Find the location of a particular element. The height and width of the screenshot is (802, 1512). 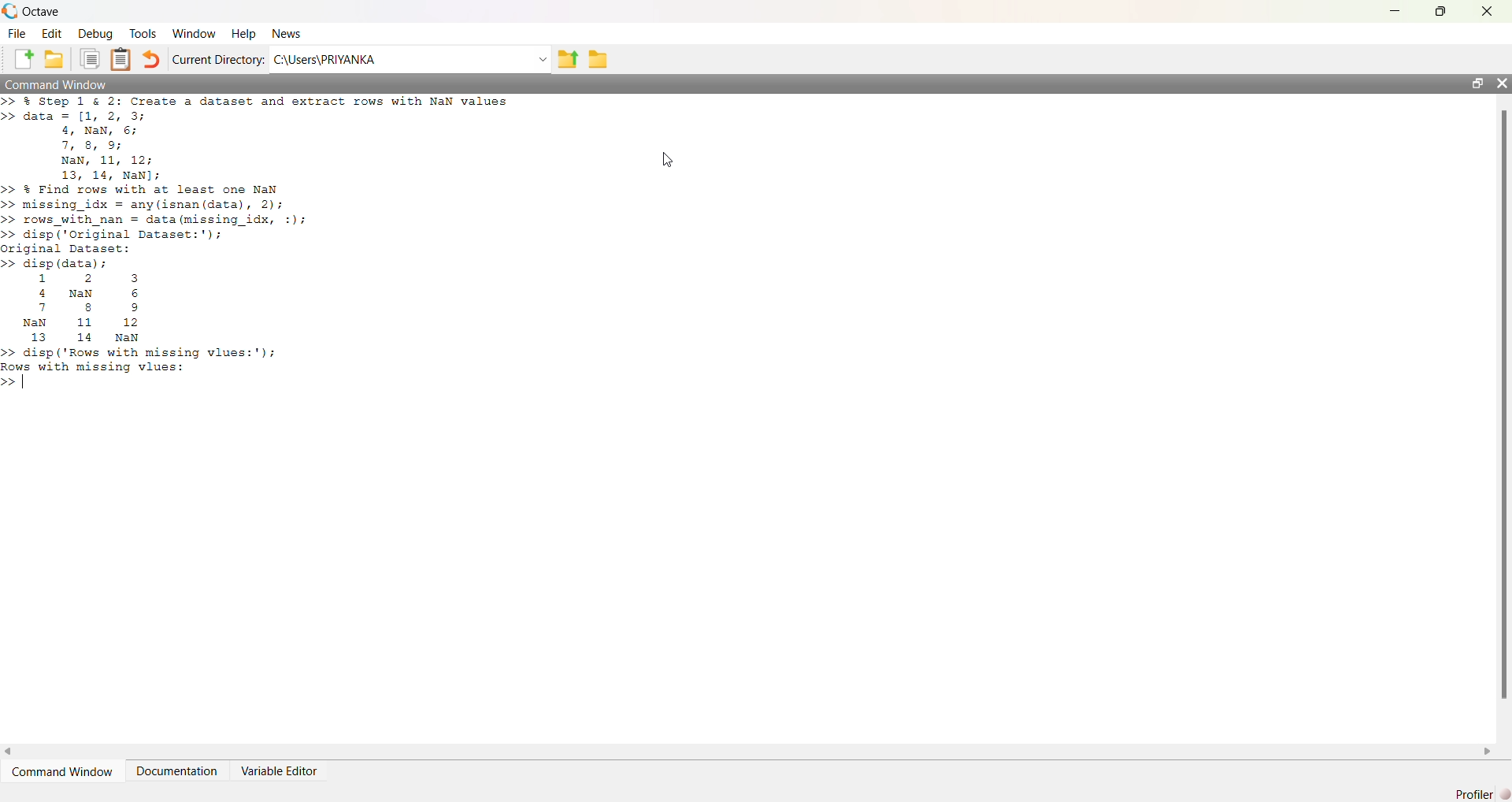

New File is located at coordinates (24, 59).